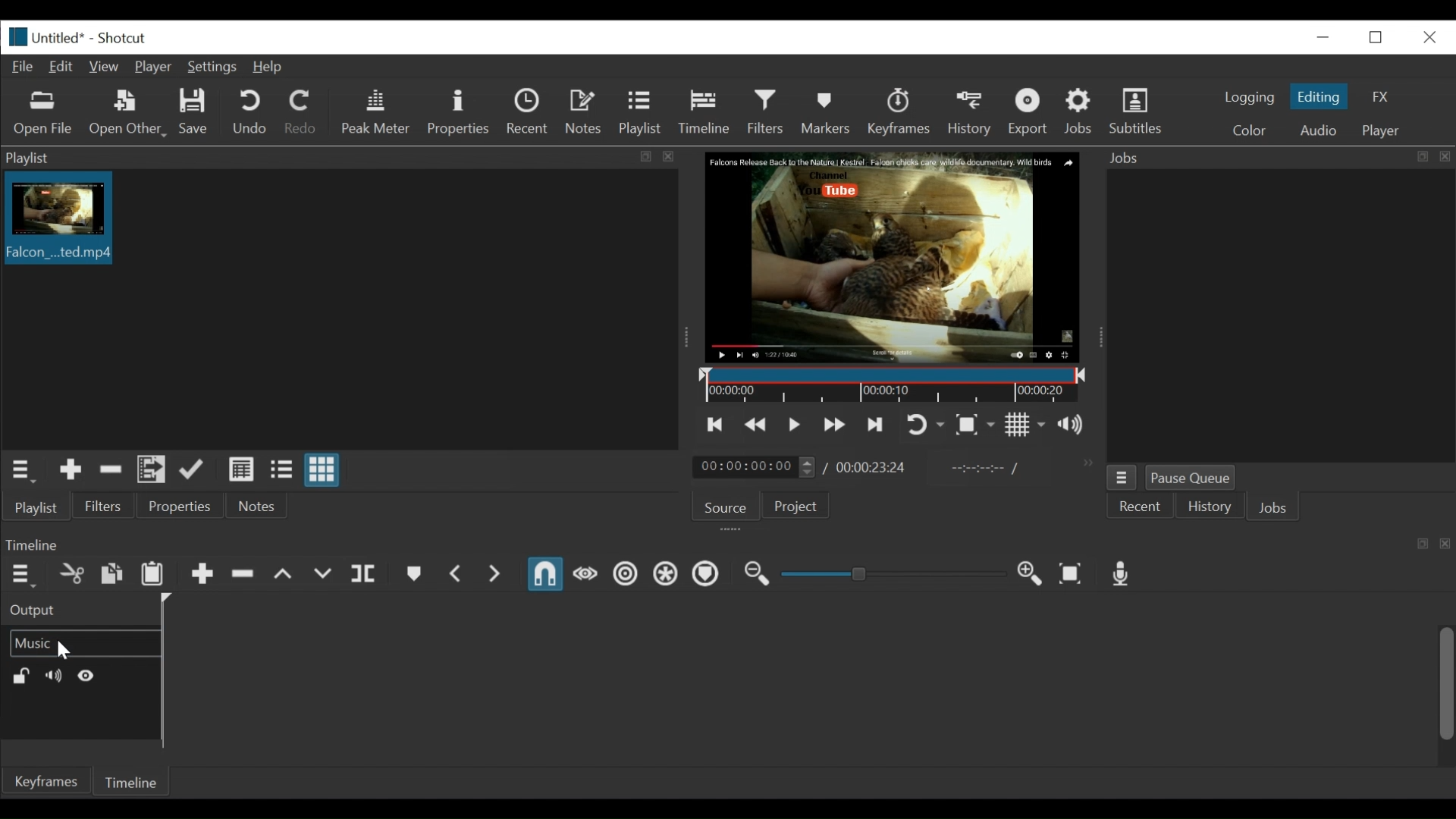 This screenshot has height=819, width=1456. I want to click on Player, so click(152, 67).